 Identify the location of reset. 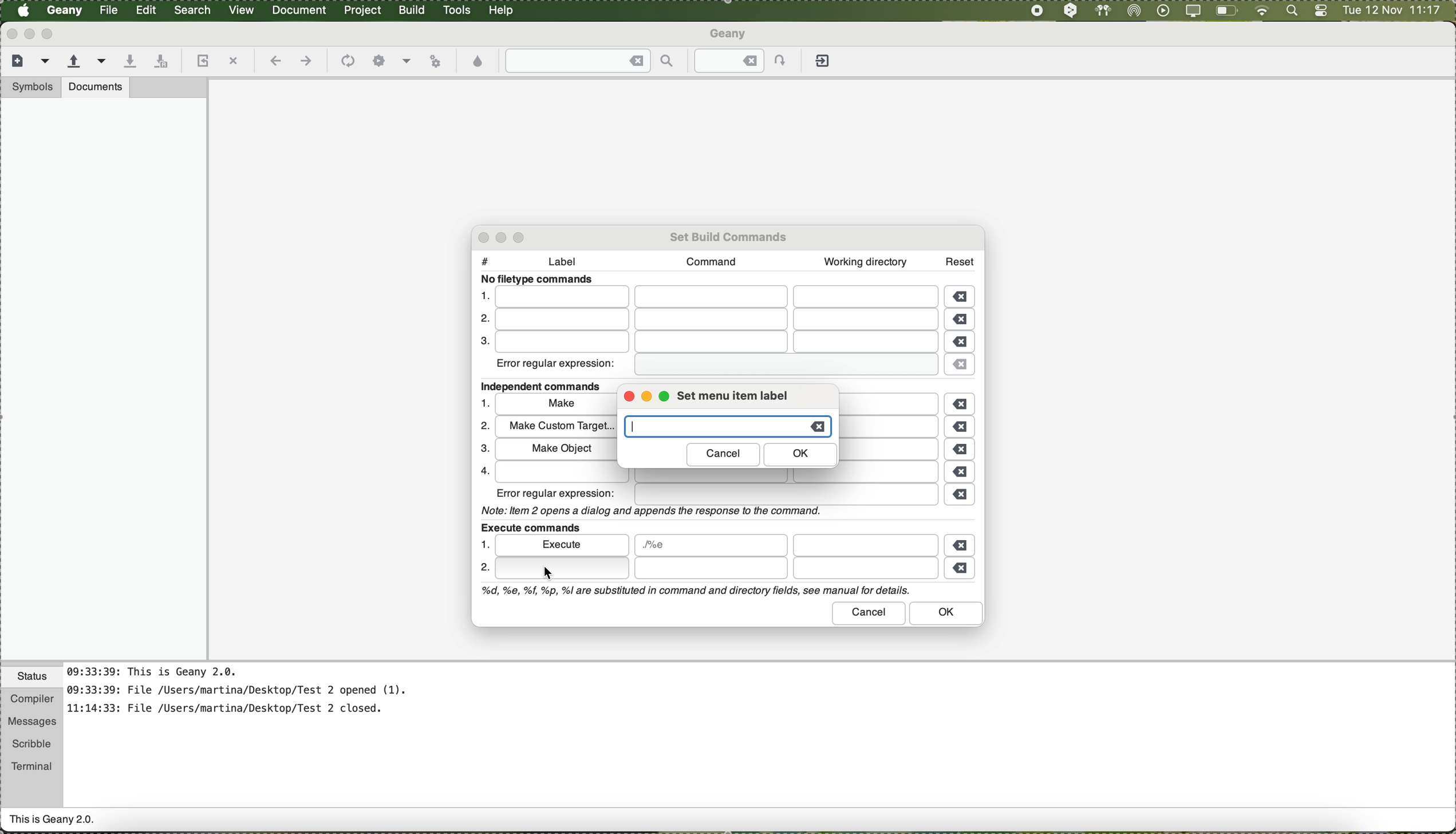
(960, 259).